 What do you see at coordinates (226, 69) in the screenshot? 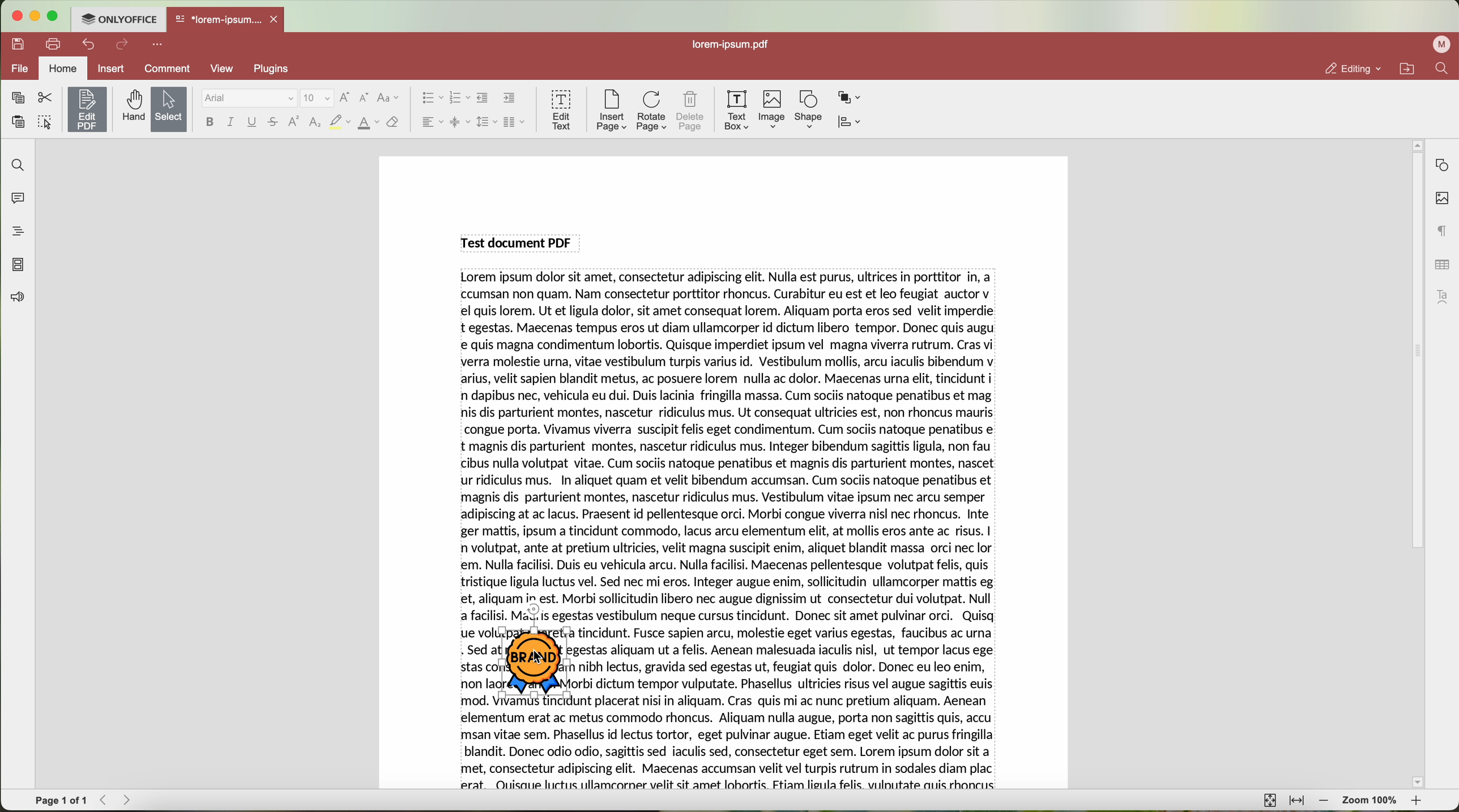
I see `view` at bounding box center [226, 69].